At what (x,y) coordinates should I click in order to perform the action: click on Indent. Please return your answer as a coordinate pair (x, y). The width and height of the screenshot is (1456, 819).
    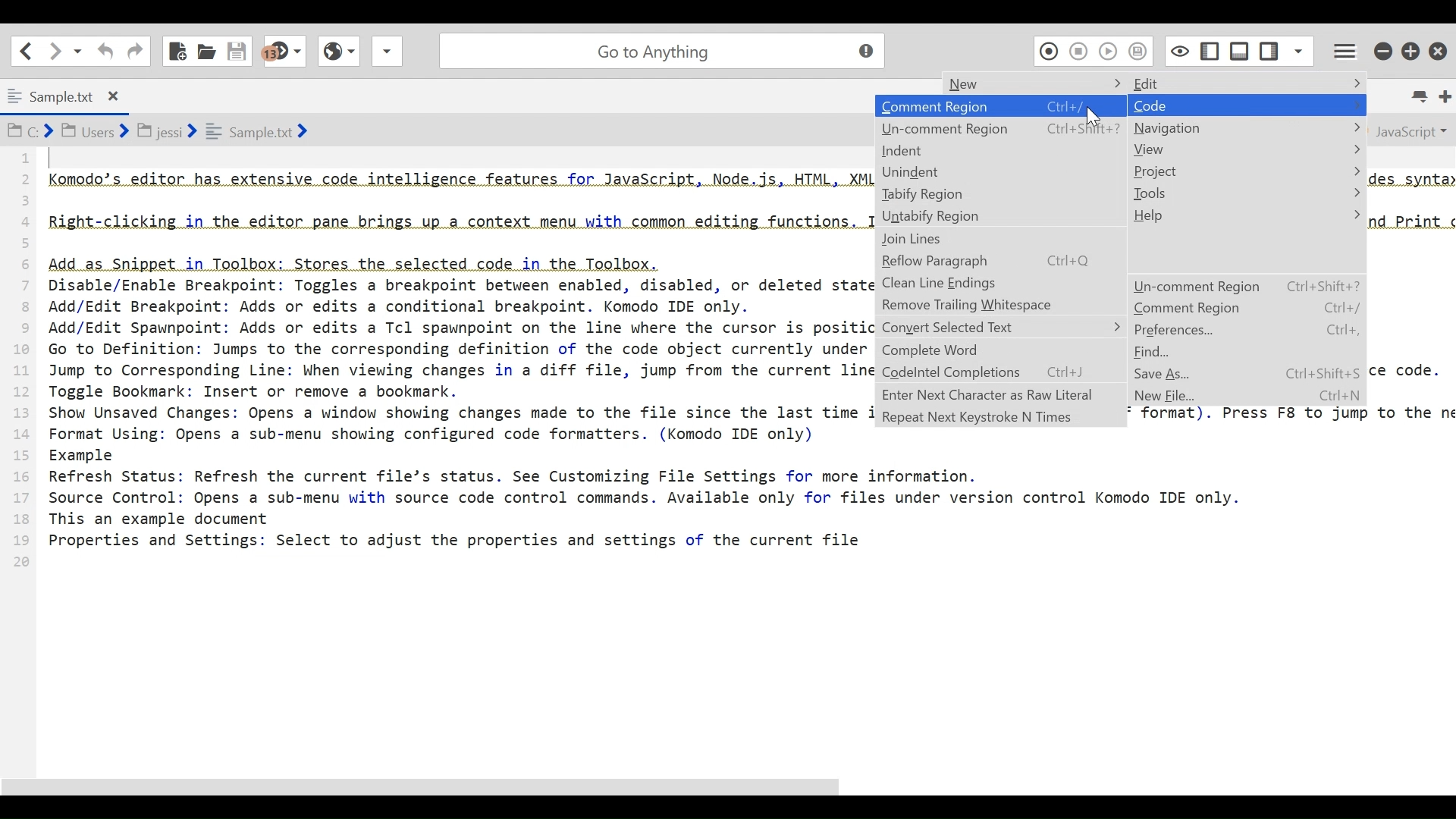
    Looking at the image, I should click on (999, 151).